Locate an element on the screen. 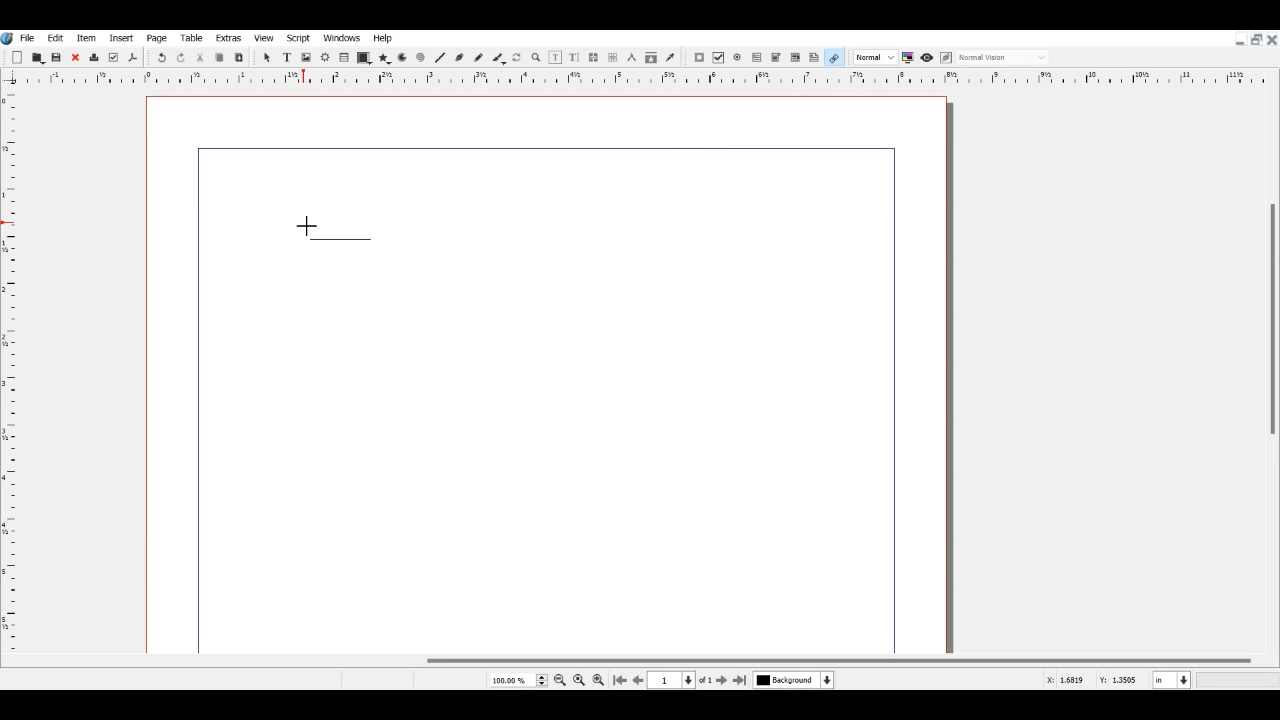  Edit in preview mode is located at coordinates (946, 58).